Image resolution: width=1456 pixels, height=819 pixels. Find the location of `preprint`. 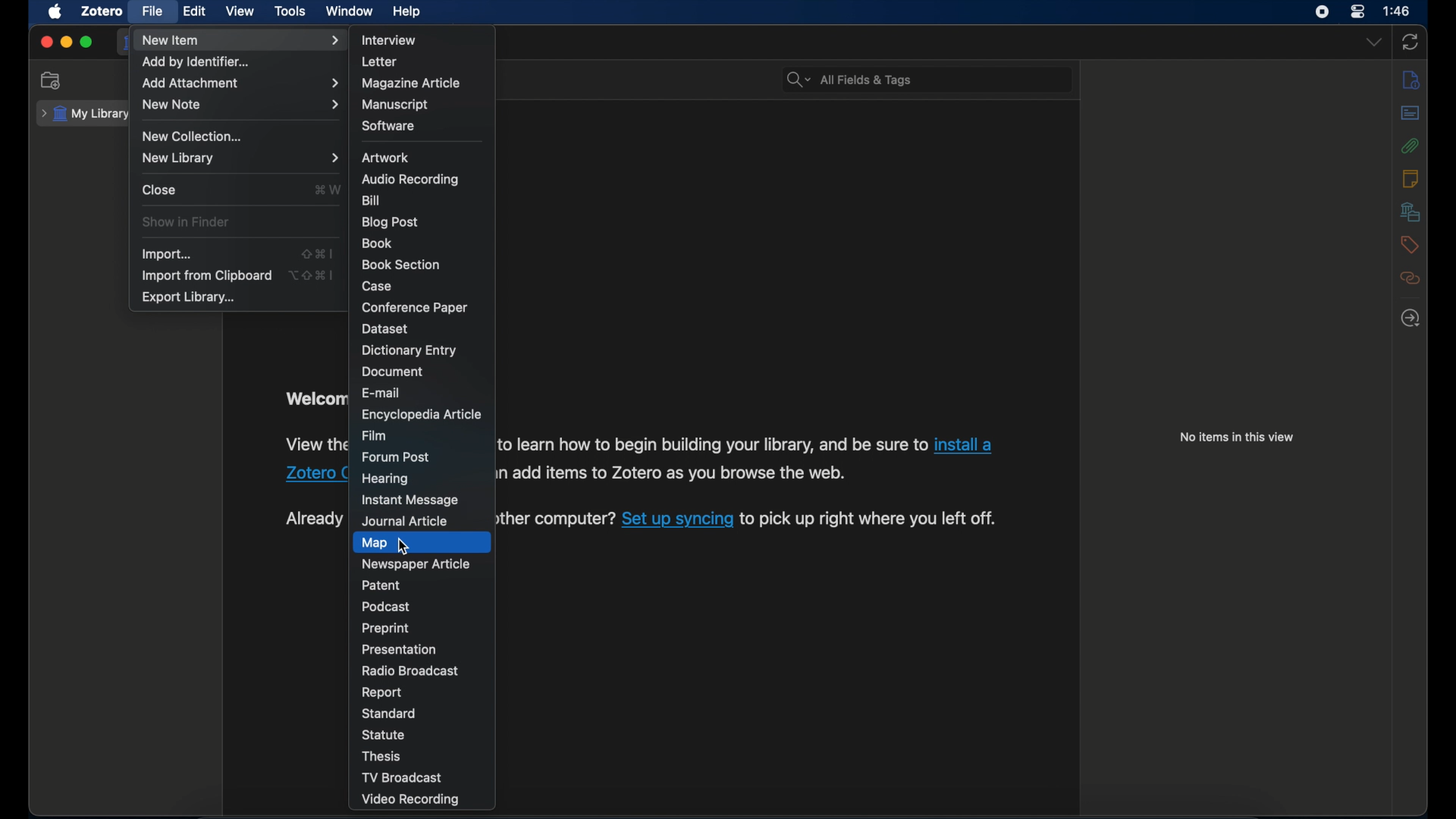

preprint is located at coordinates (385, 628).